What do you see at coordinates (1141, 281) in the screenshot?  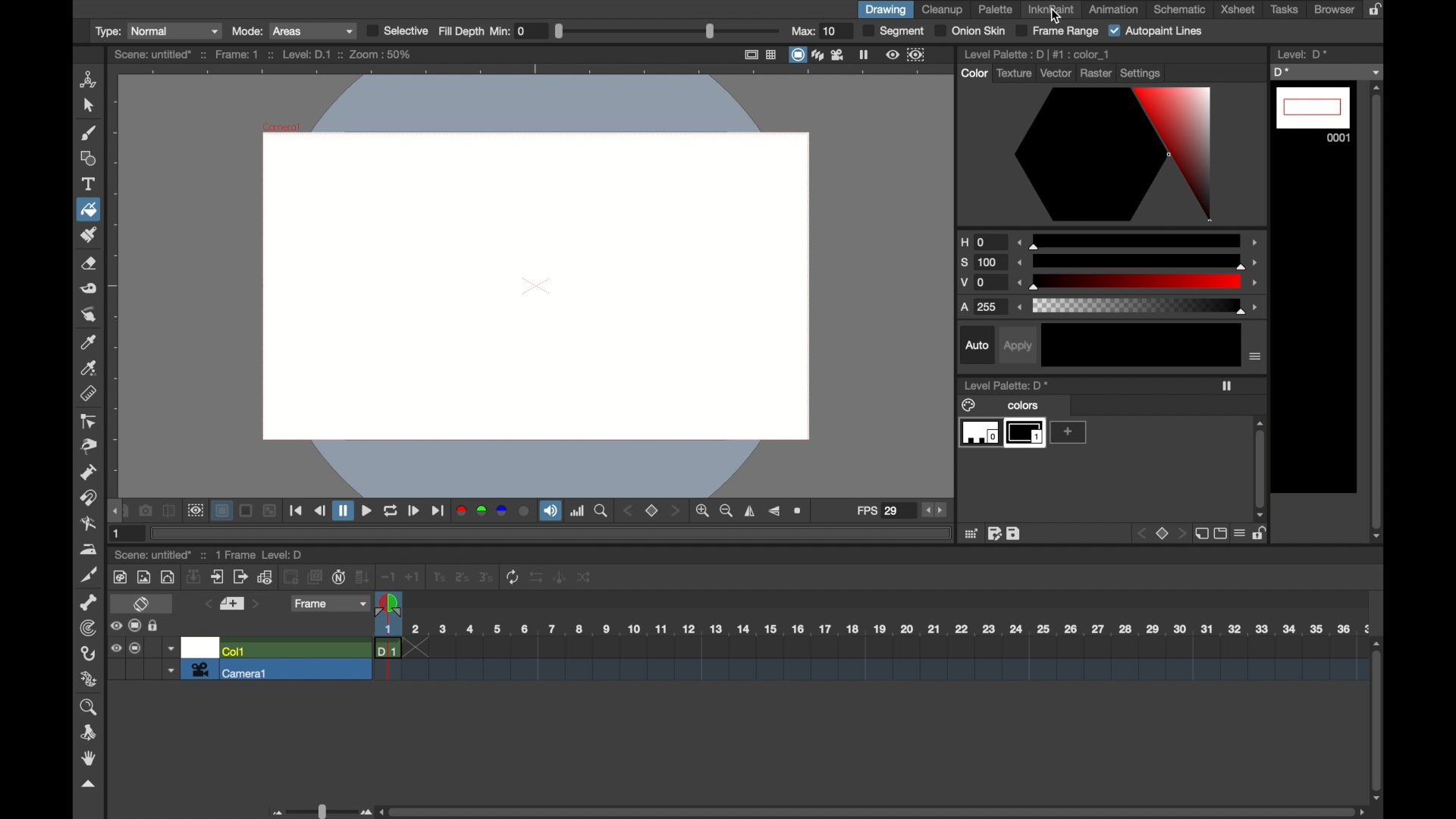 I see `scale` at bounding box center [1141, 281].